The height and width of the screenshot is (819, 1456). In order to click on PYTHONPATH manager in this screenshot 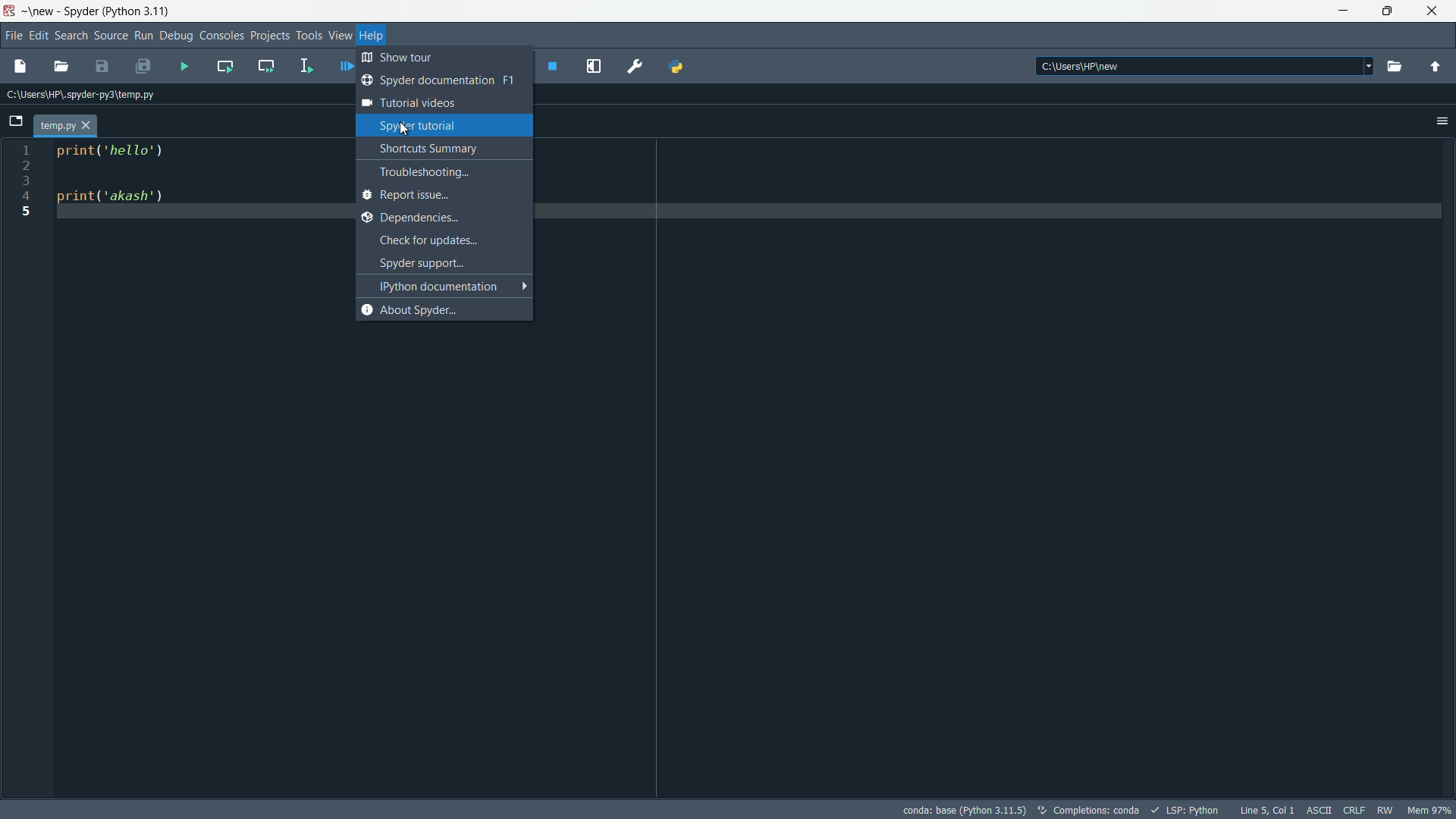, I will do `click(679, 66)`.